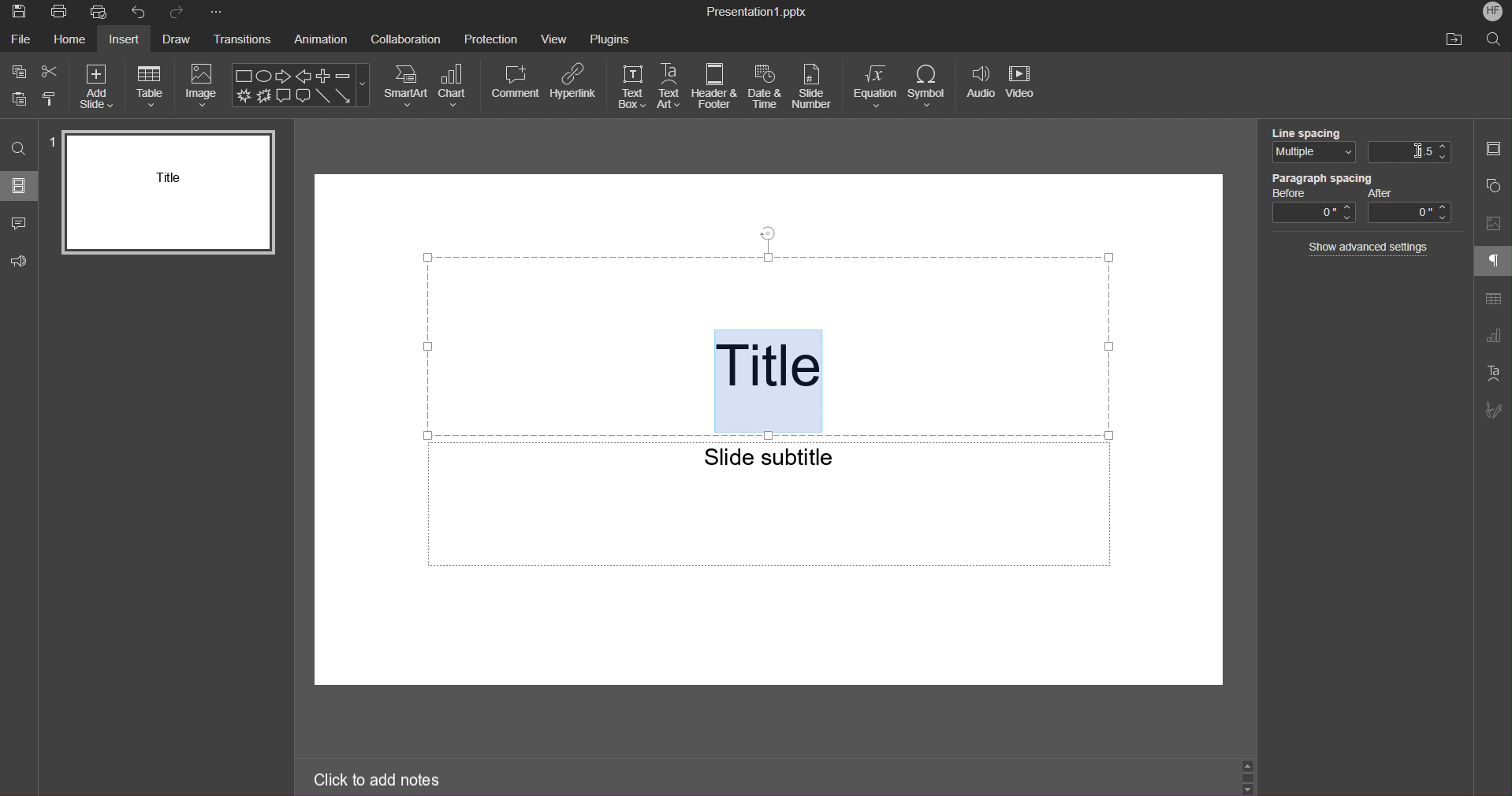 This screenshot has height=796, width=1512. Describe the element at coordinates (981, 88) in the screenshot. I see `Audio` at that location.